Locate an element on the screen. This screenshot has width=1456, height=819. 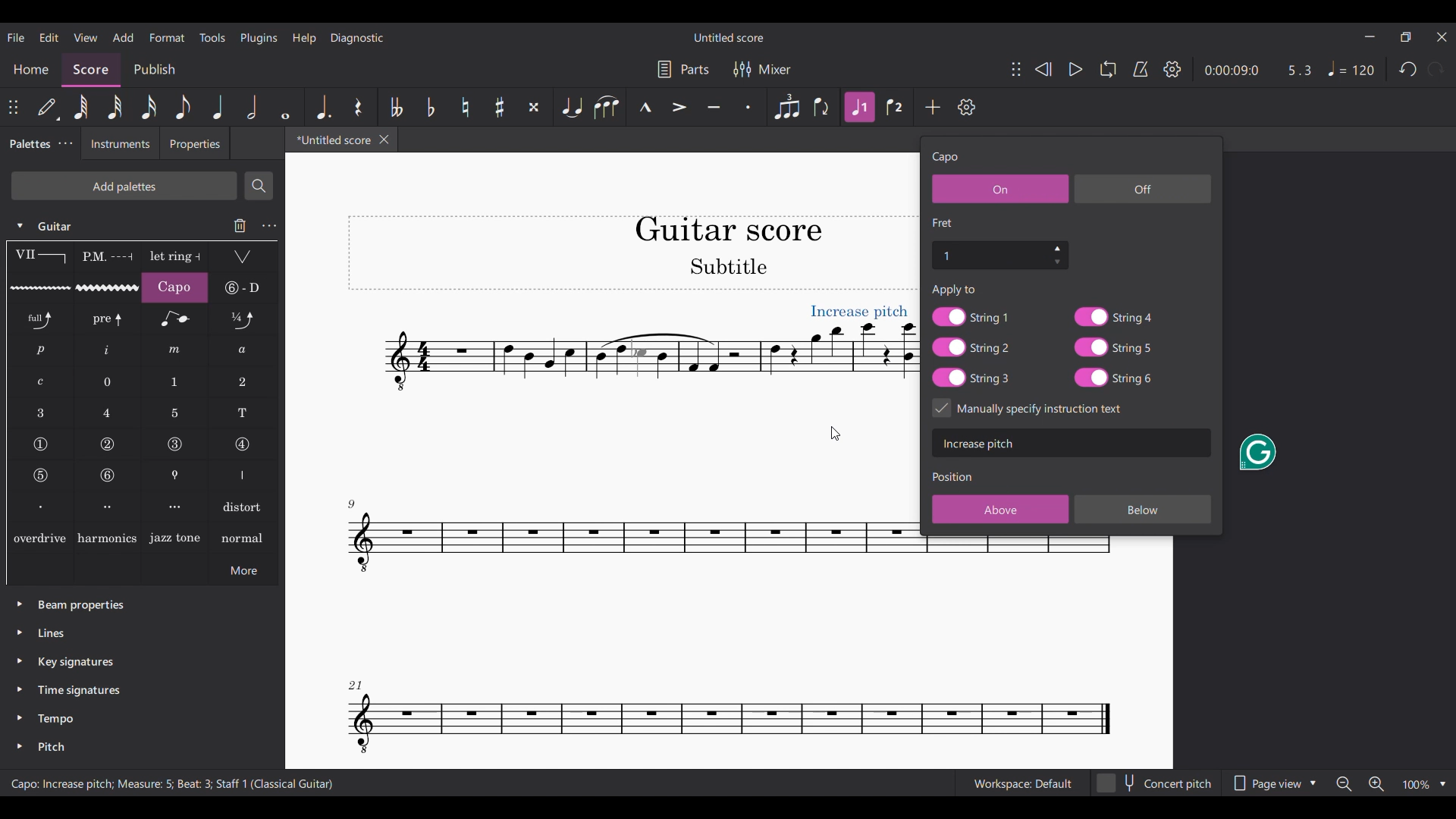
Guitar vibrato wide is located at coordinates (108, 287).